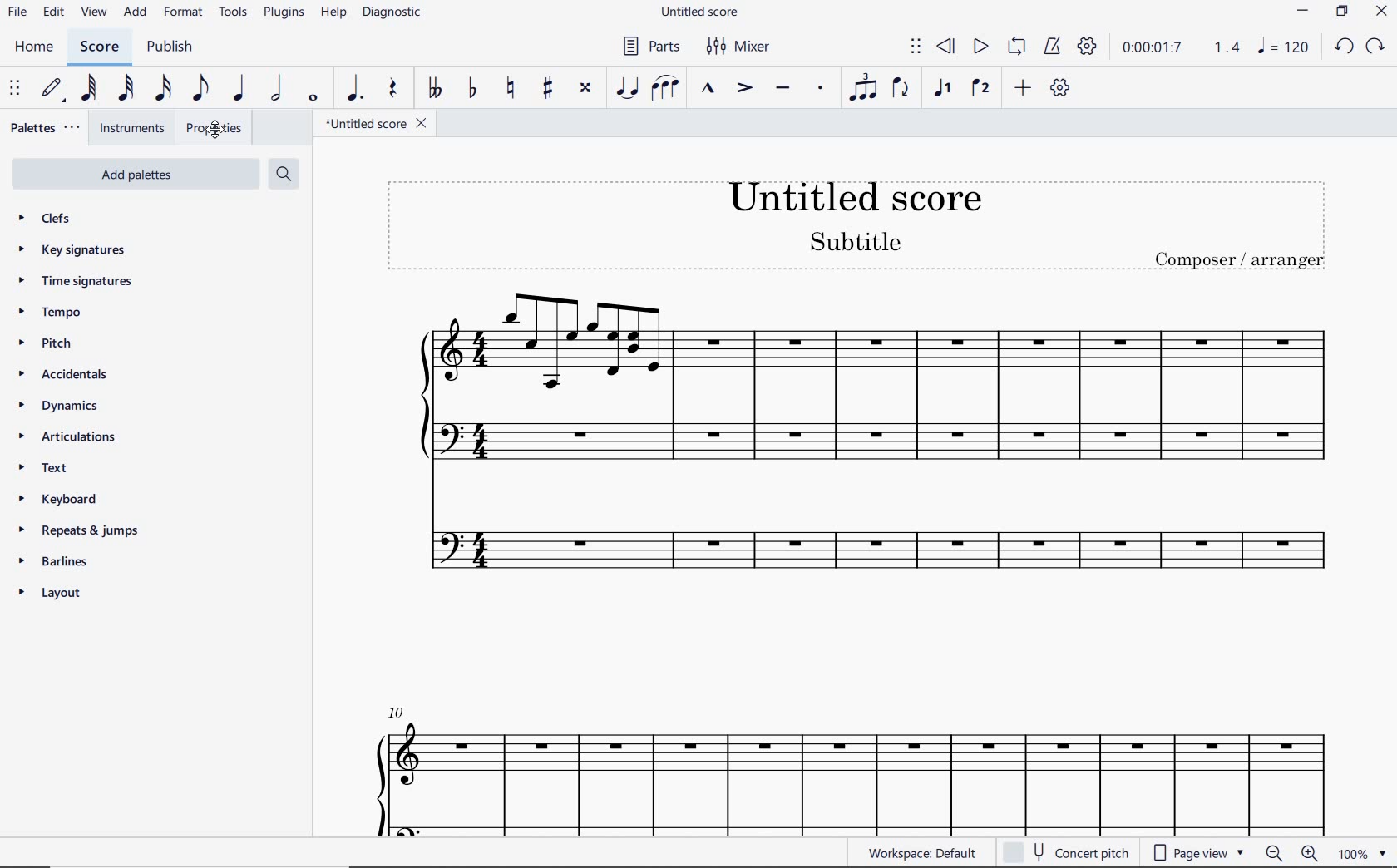 This screenshot has height=868, width=1397. Describe the element at coordinates (1086, 45) in the screenshot. I see `PLAYBACK SETTINGS` at that location.